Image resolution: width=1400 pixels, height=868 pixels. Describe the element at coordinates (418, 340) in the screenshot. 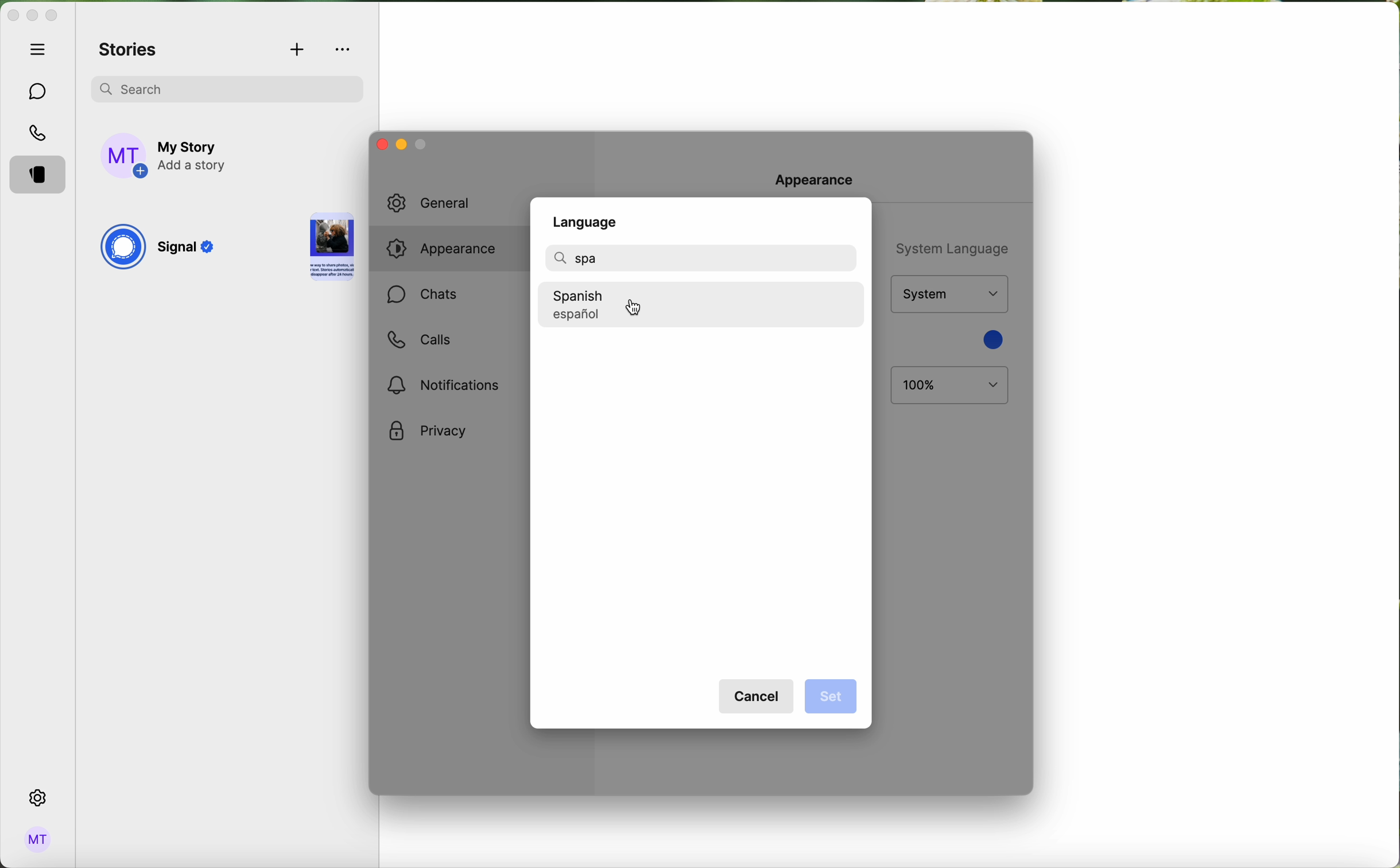

I see `calls` at that location.